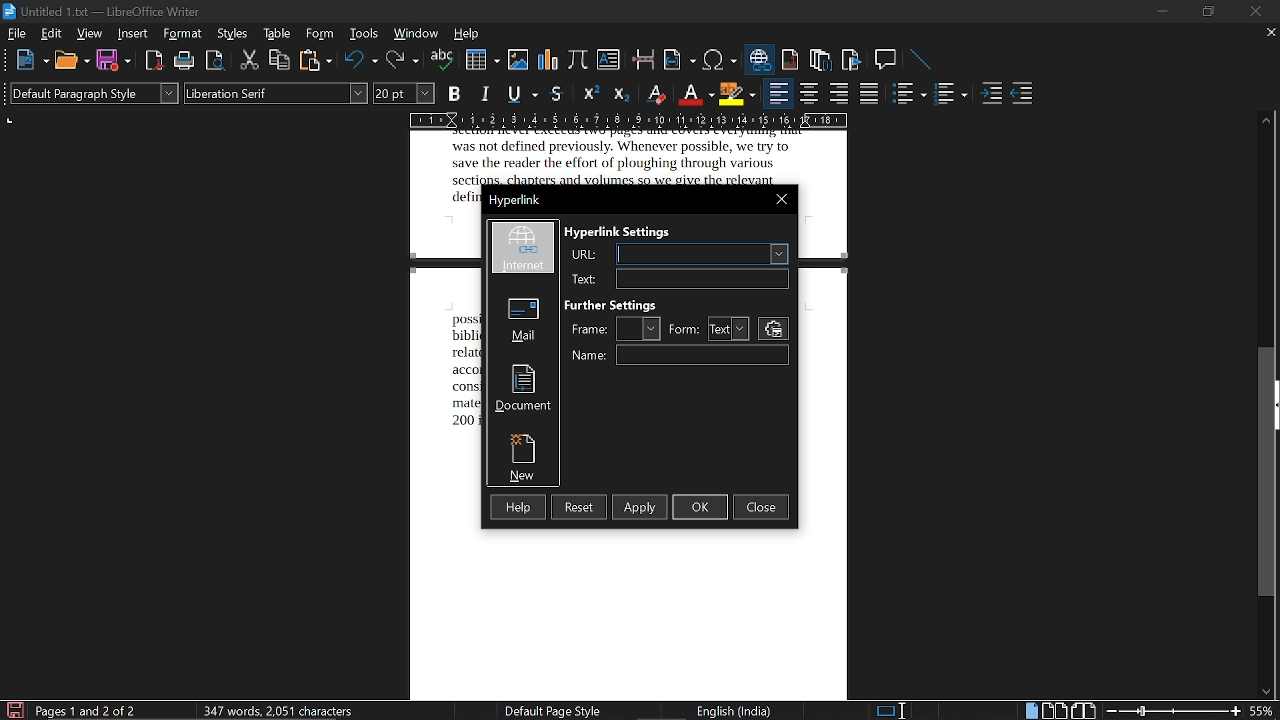  What do you see at coordinates (277, 94) in the screenshot?
I see `font style` at bounding box center [277, 94].